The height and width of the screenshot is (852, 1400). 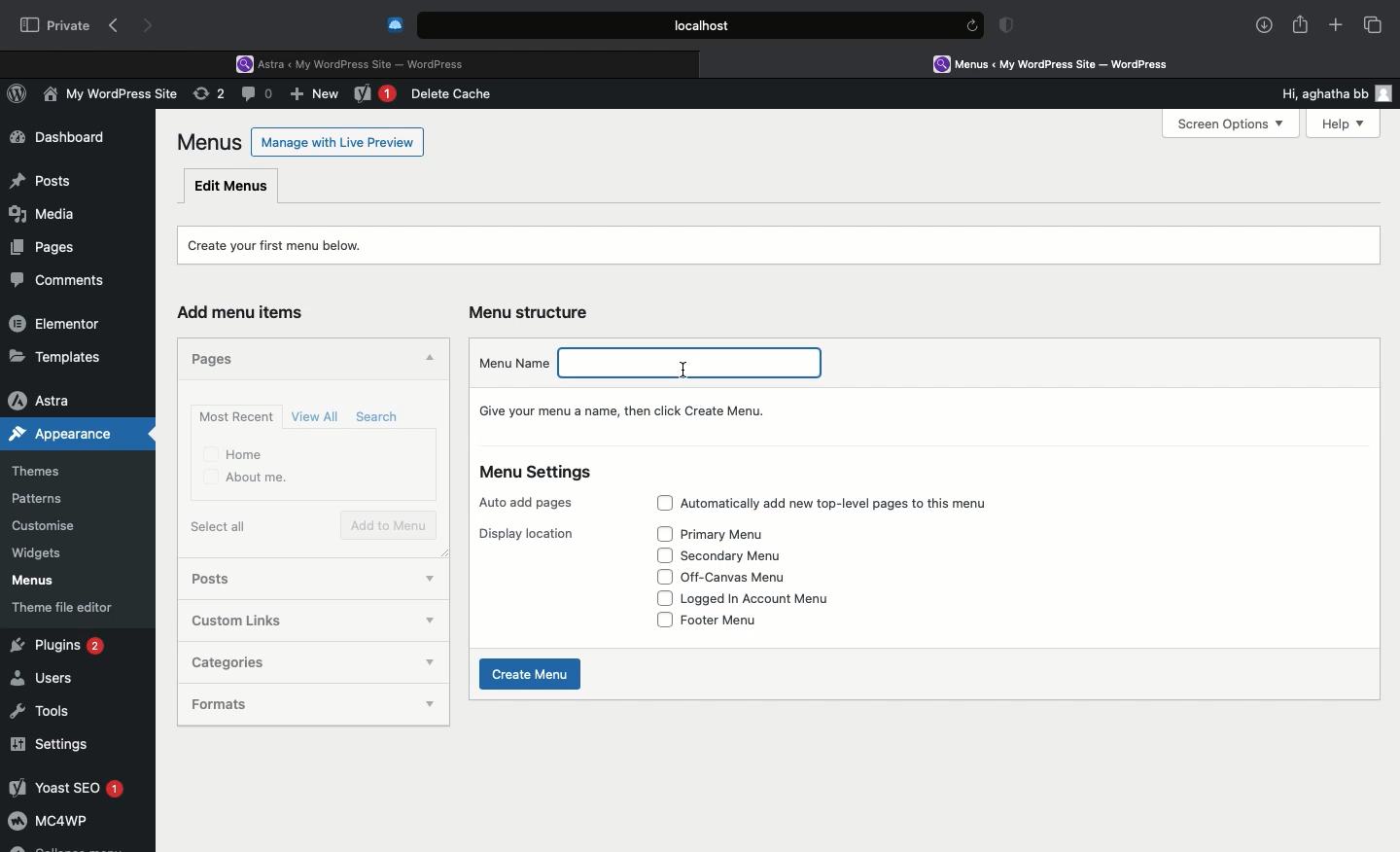 I want to click on MC4WP, so click(x=49, y=824).